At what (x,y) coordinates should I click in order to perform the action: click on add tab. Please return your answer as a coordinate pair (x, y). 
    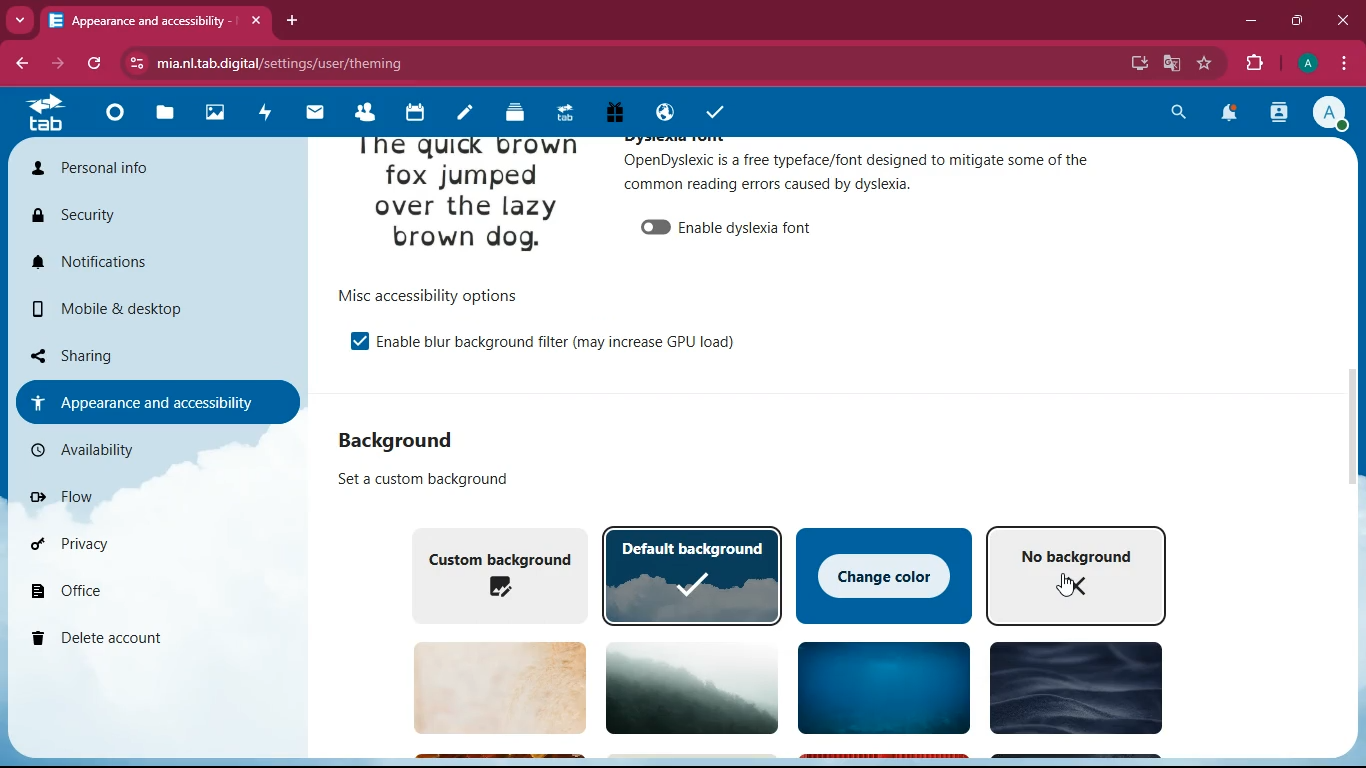
    Looking at the image, I should click on (295, 20).